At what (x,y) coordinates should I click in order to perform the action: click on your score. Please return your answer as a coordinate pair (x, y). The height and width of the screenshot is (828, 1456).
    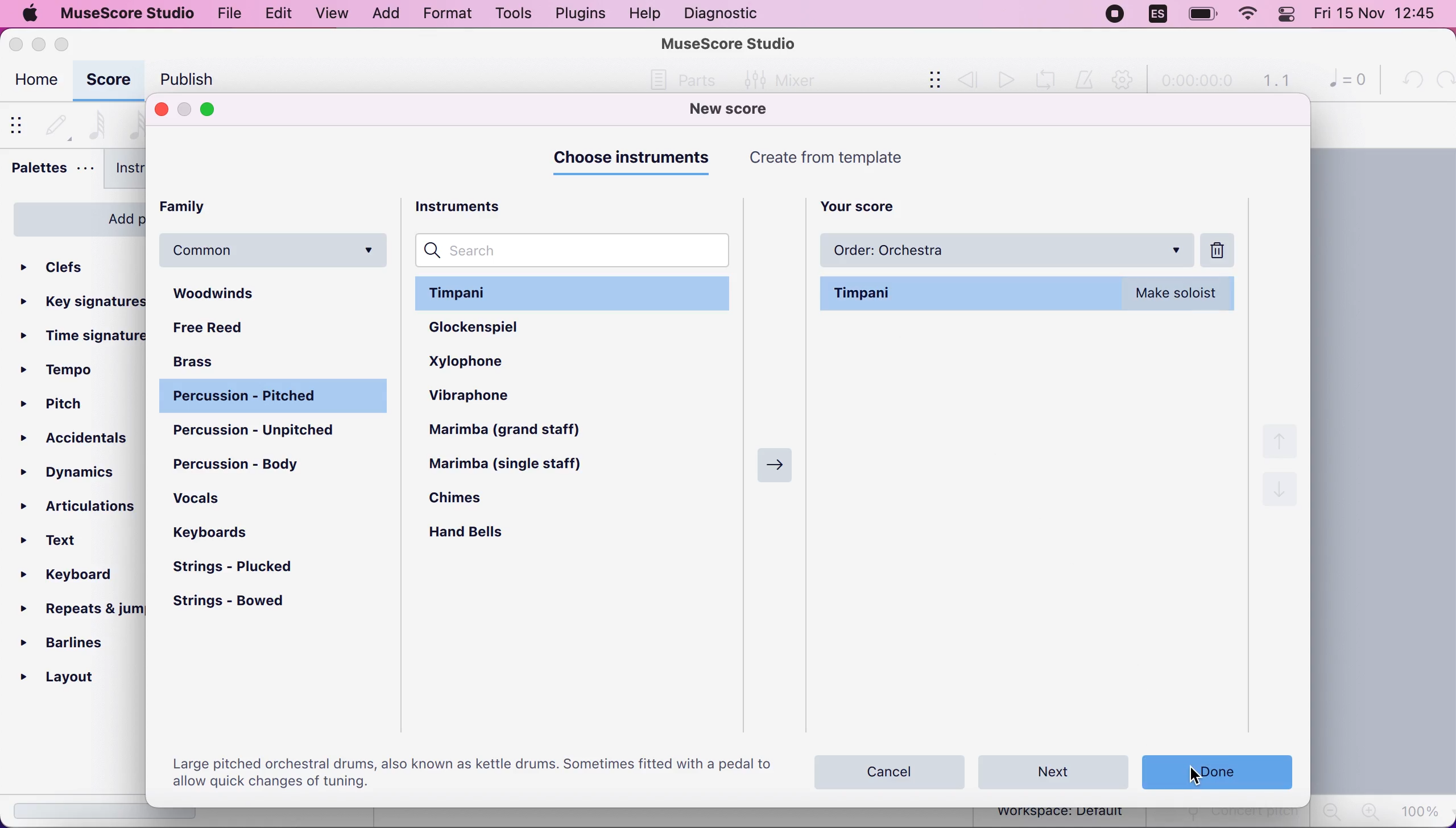
    Looking at the image, I should click on (866, 204).